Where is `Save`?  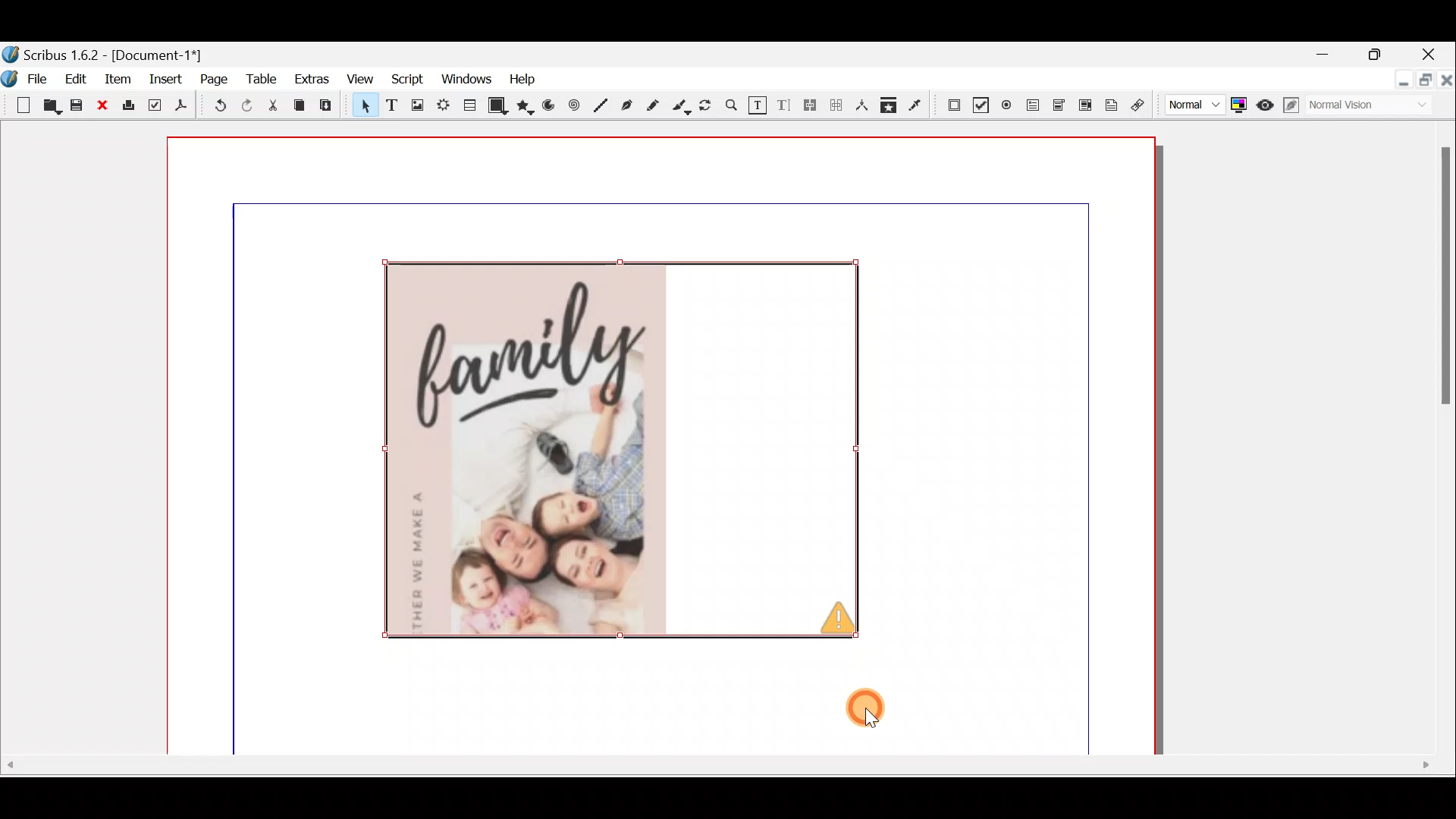
Save is located at coordinates (79, 107).